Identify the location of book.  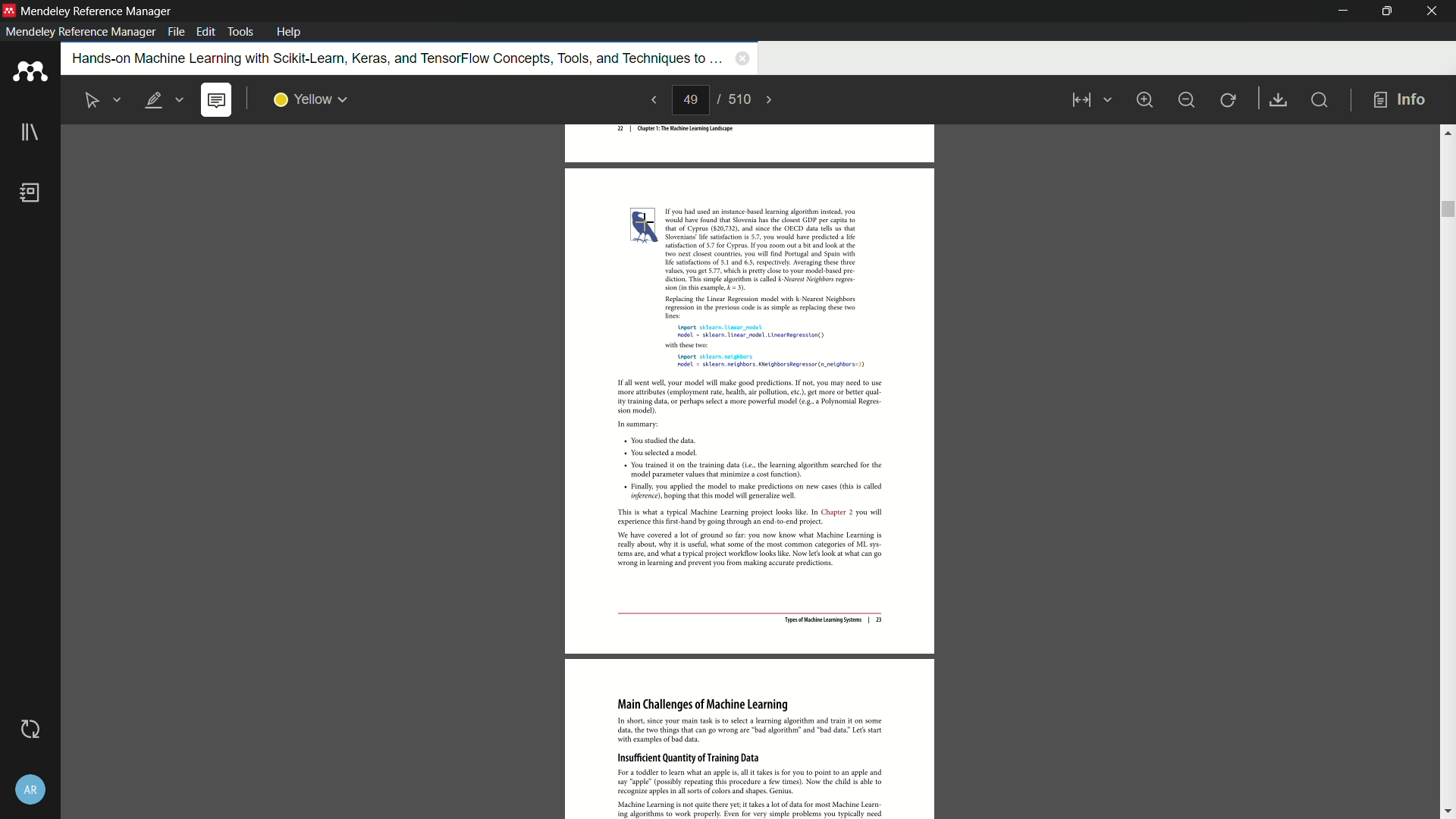
(33, 194).